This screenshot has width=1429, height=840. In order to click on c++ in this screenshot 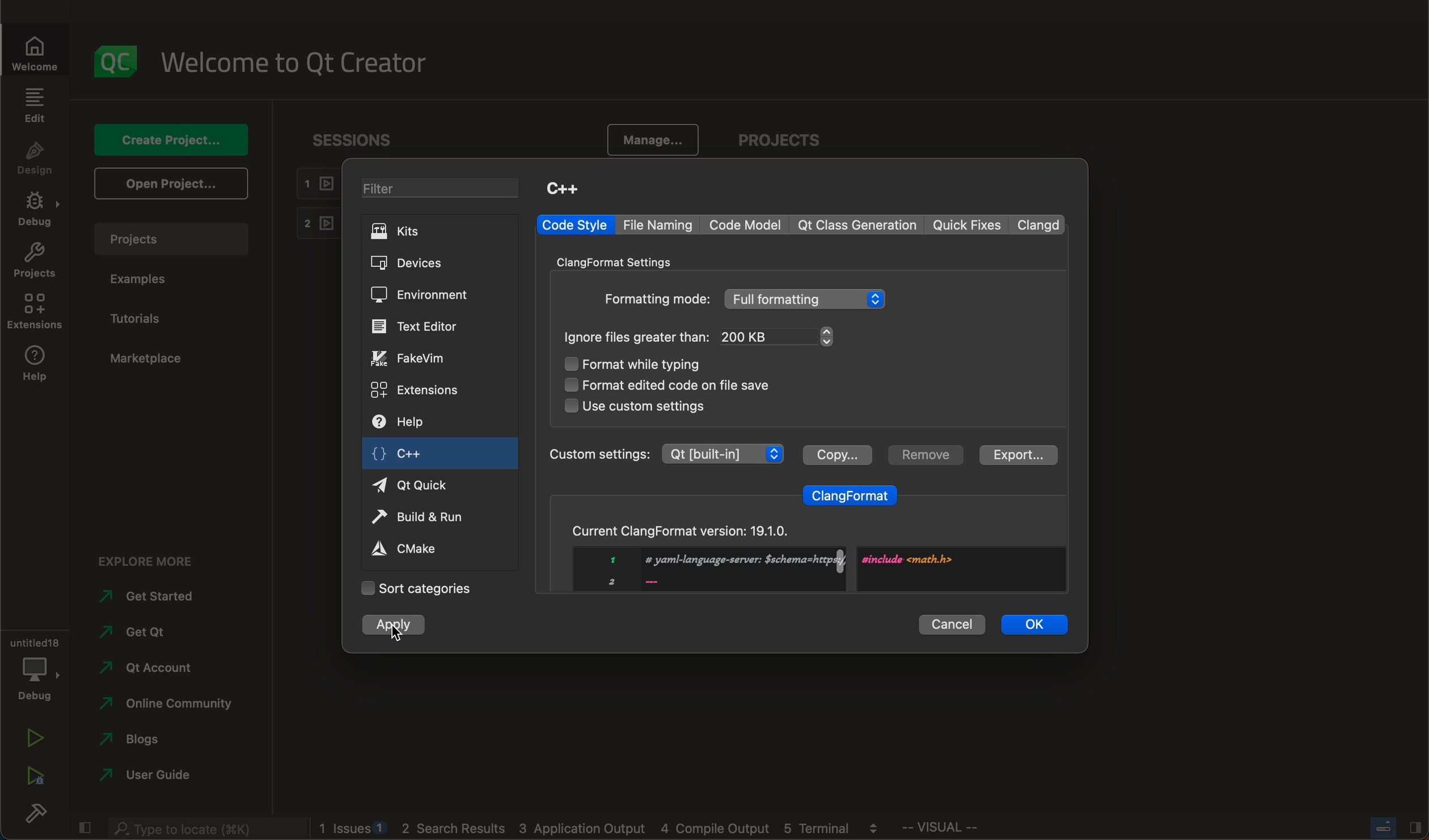, I will do `click(410, 456)`.